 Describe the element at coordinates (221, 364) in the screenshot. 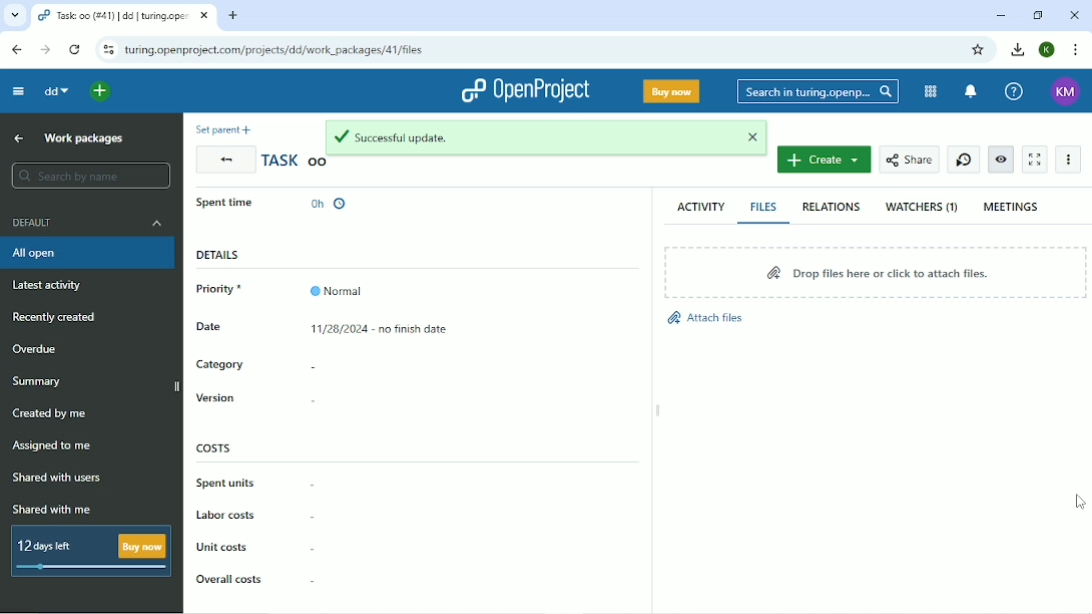

I see `Category` at that location.